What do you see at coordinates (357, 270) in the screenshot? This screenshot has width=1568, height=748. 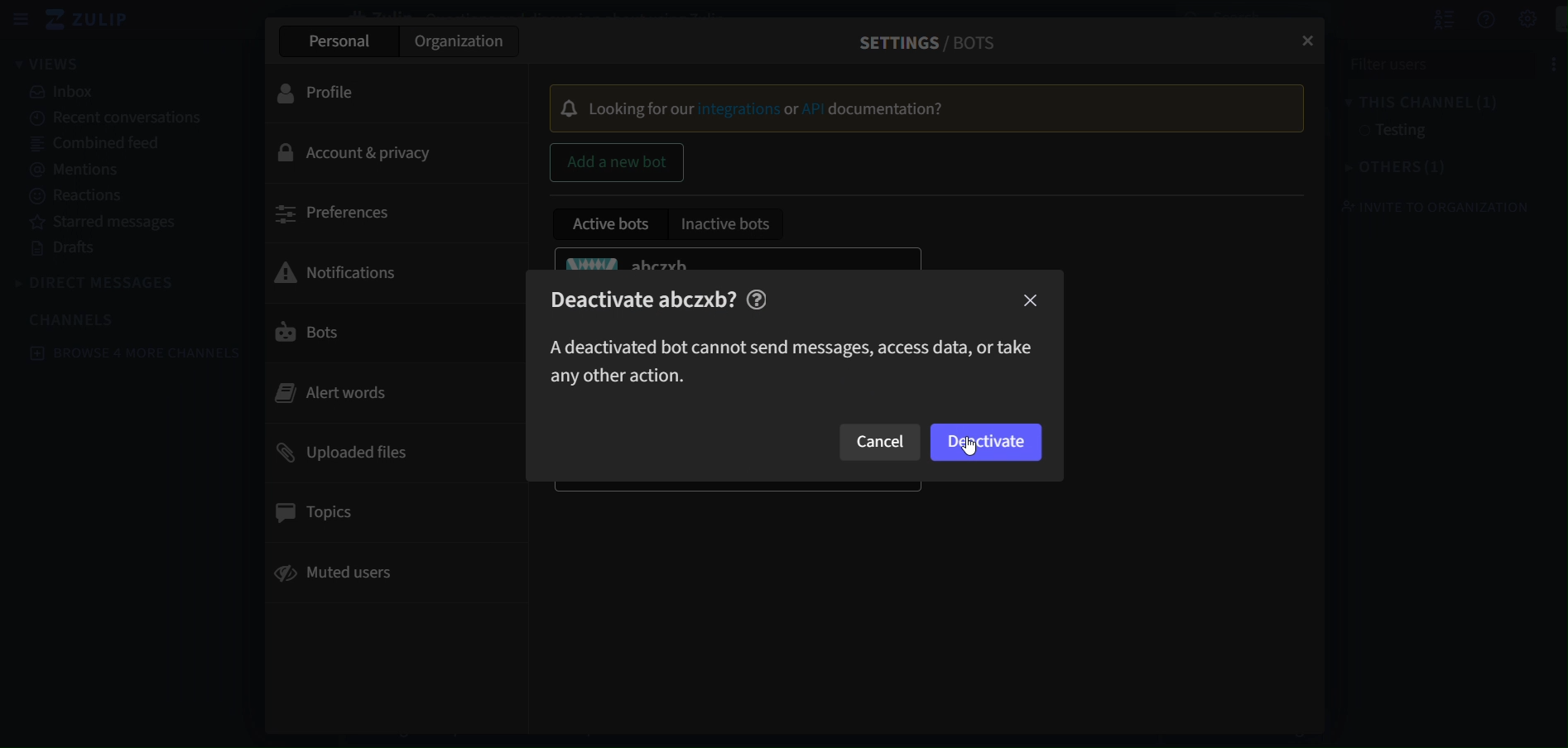 I see `notifications` at bounding box center [357, 270].